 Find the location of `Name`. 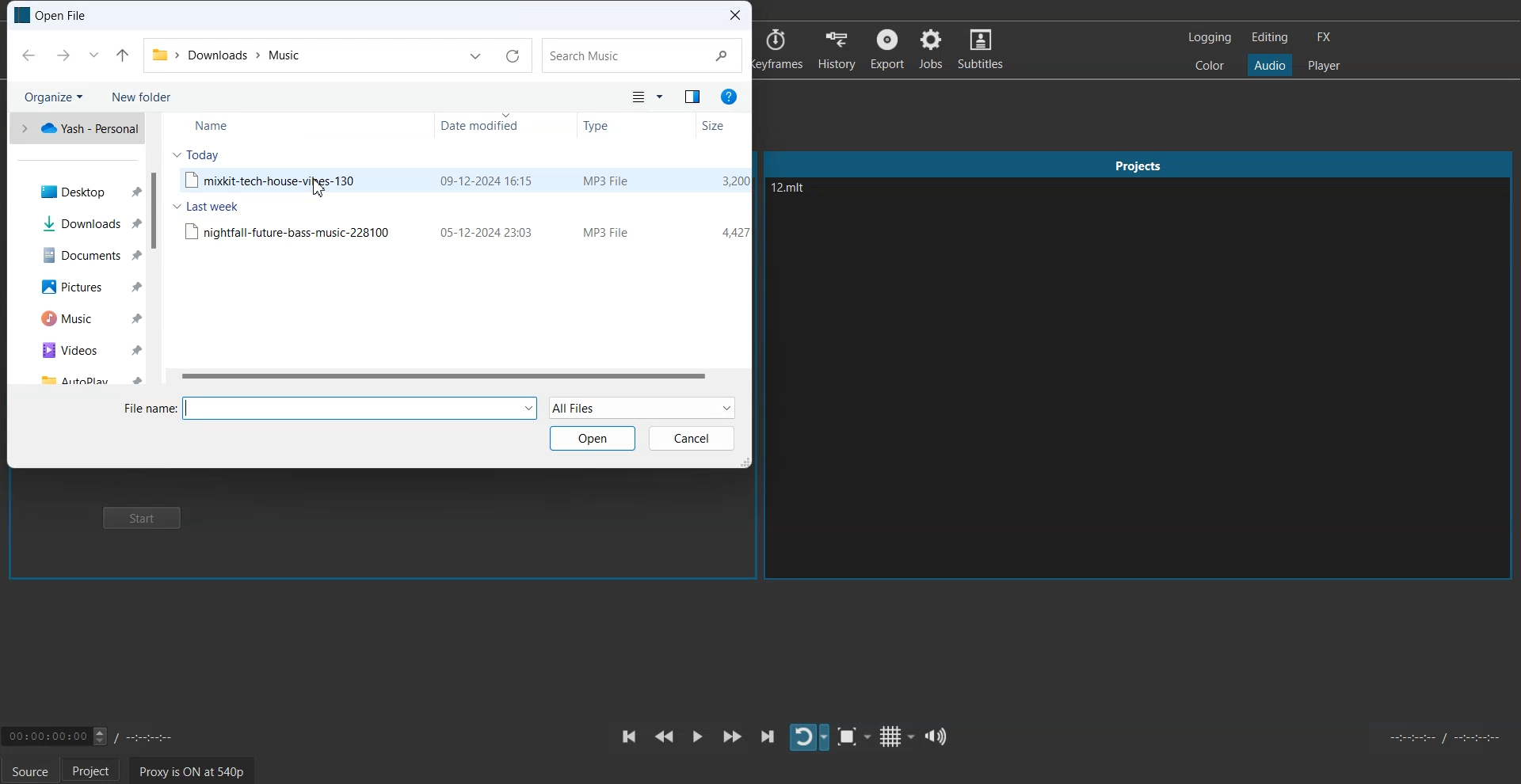

Name is located at coordinates (210, 127).